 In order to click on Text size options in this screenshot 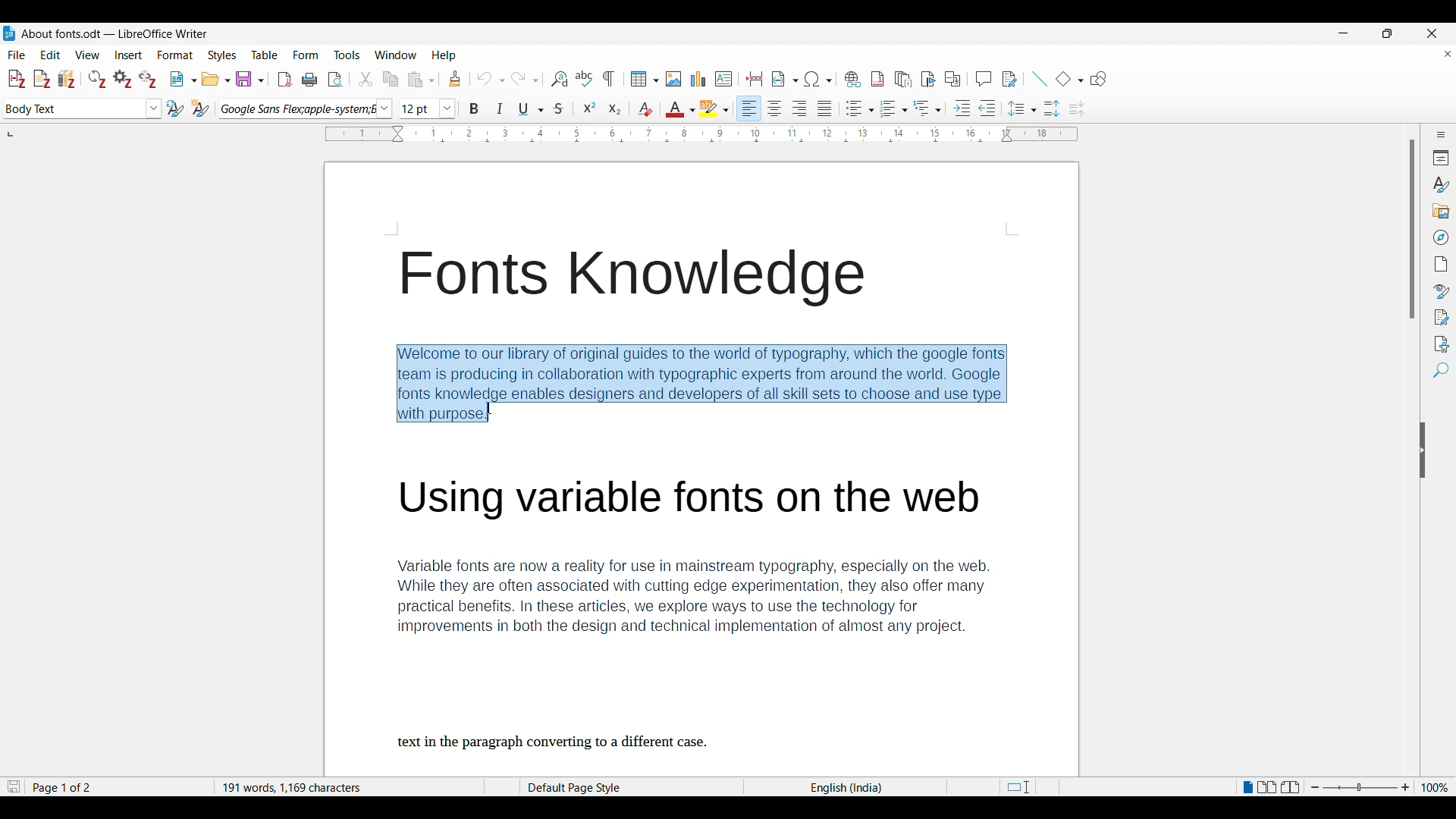, I will do `click(427, 108)`.